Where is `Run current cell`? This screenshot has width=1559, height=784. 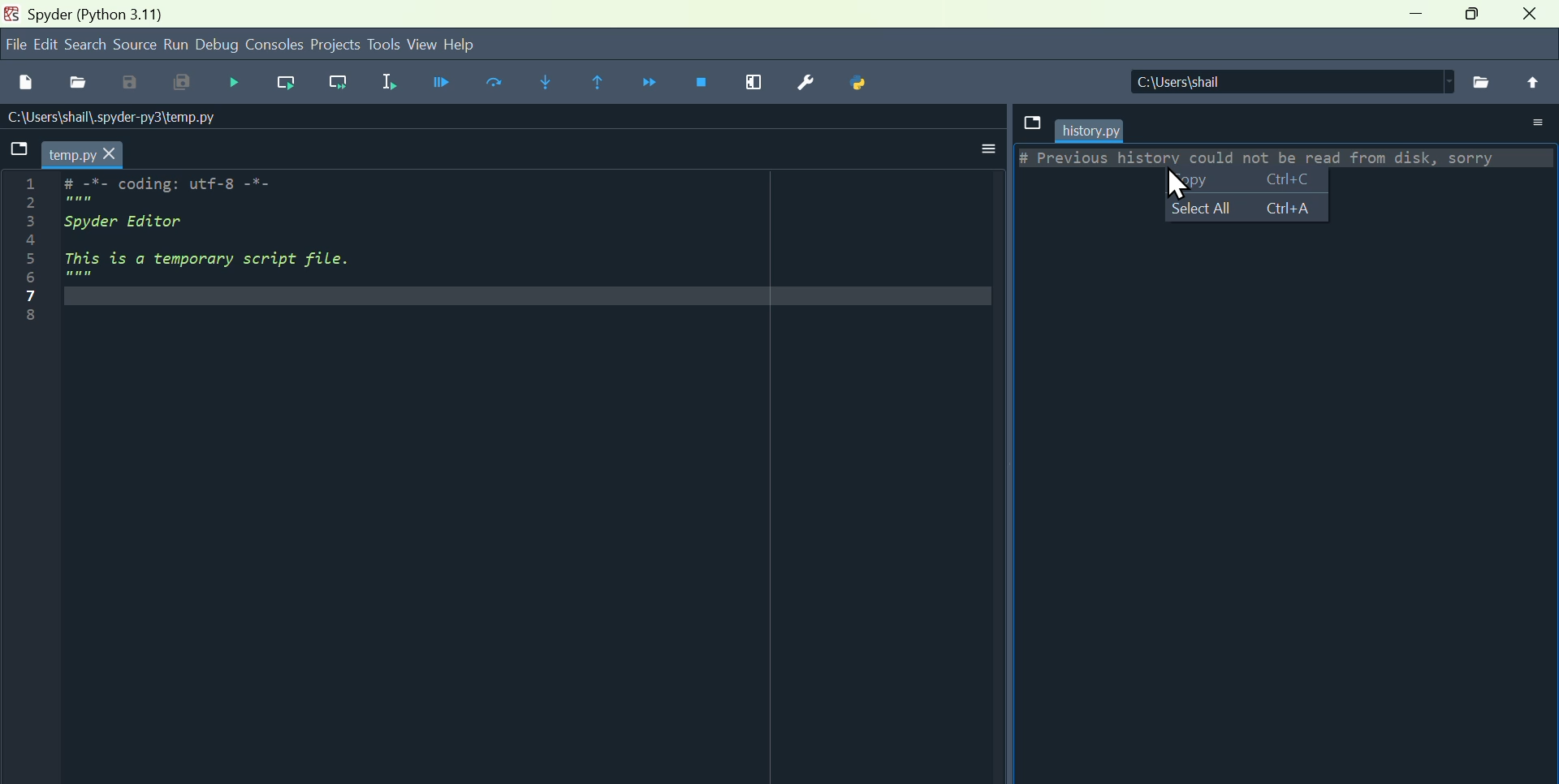 Run current cell is located at coordinates (285, 81).